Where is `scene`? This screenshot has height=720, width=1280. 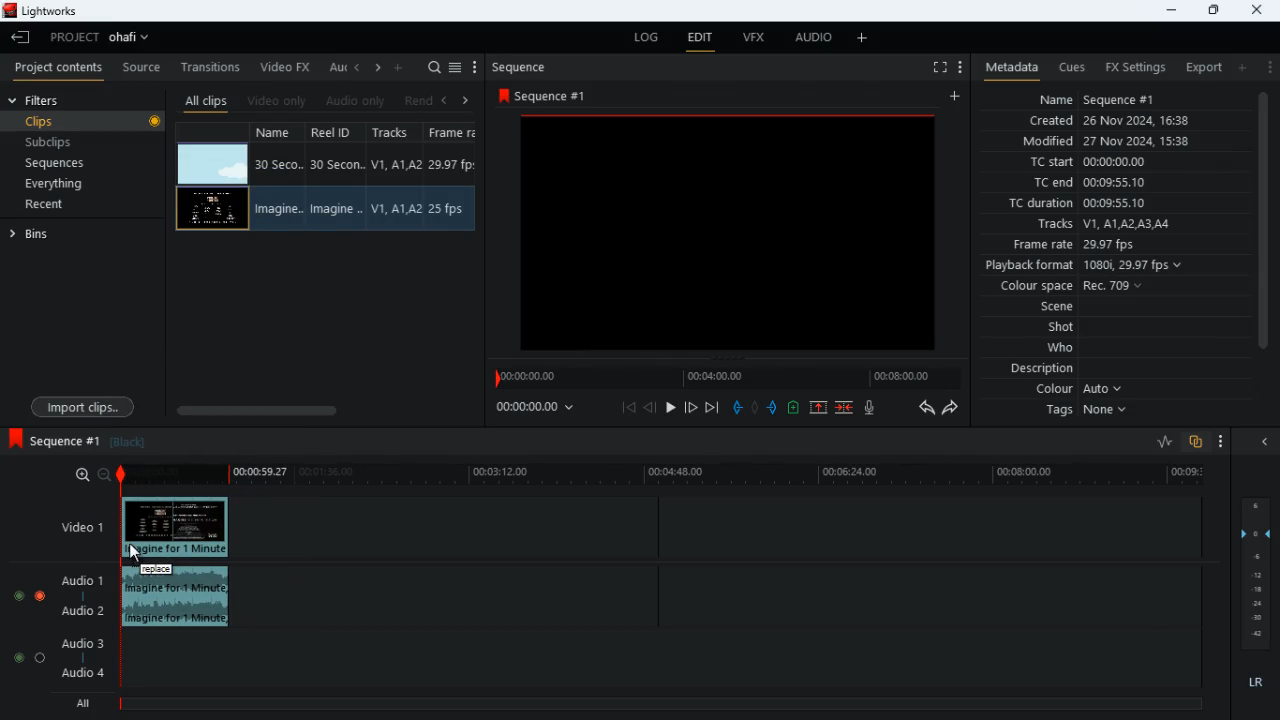 scene is located at coordinates (1046, 308).